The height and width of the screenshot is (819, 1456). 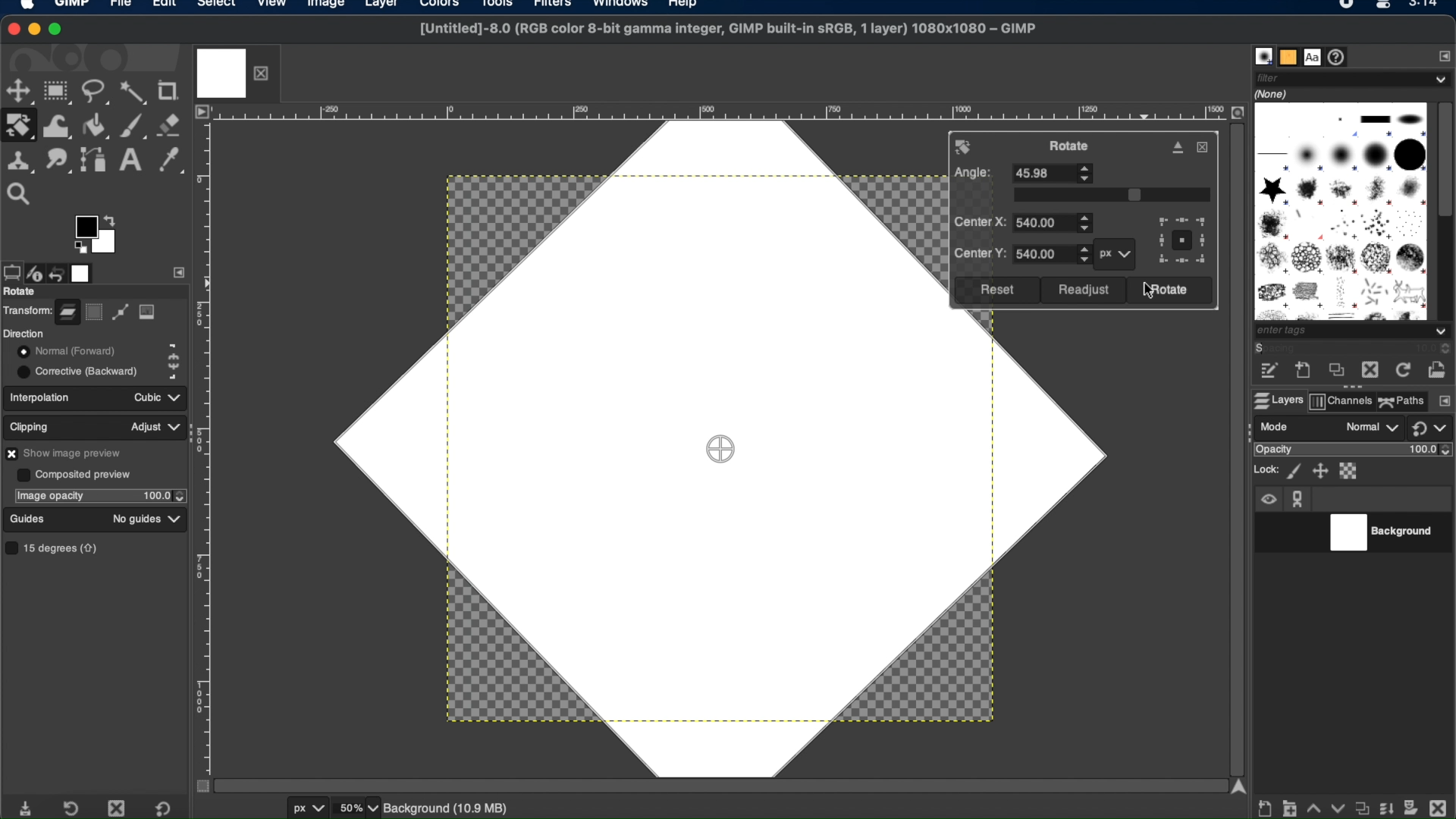 I want to click on cursor, so click(x=1147, y=288).